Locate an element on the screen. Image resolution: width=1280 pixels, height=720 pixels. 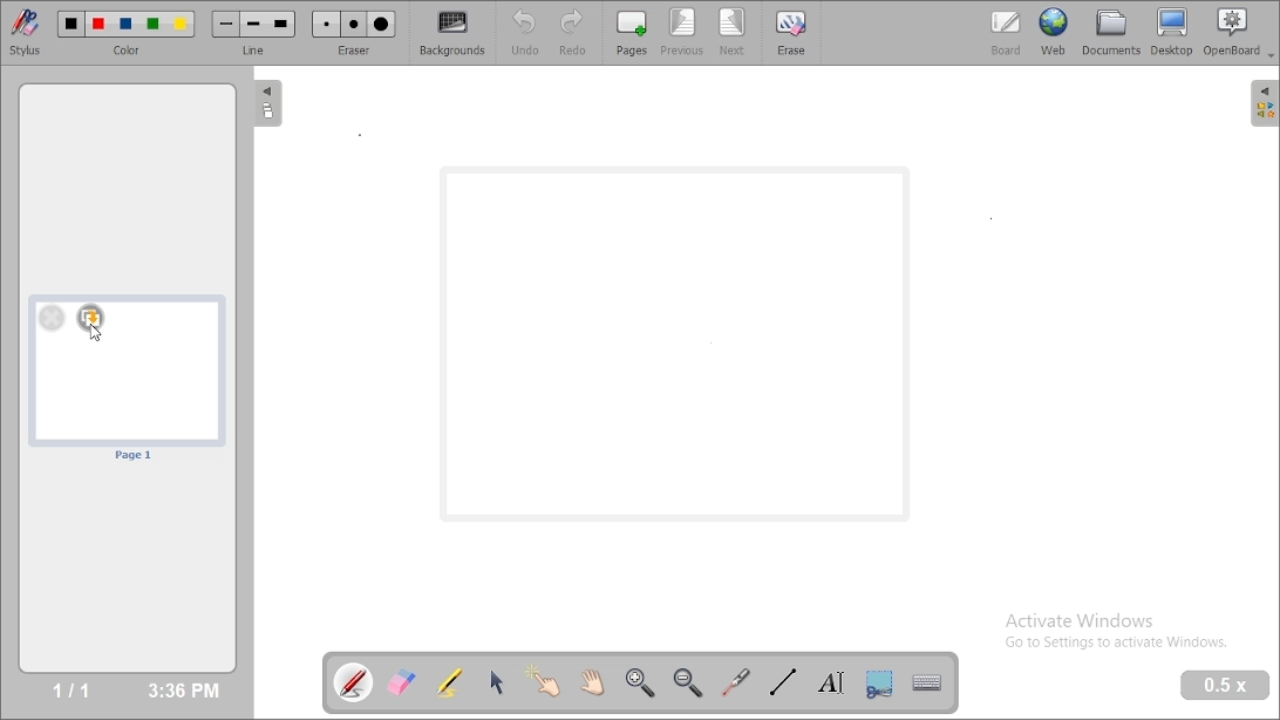
zoom in is located at coordinates (639, 683).